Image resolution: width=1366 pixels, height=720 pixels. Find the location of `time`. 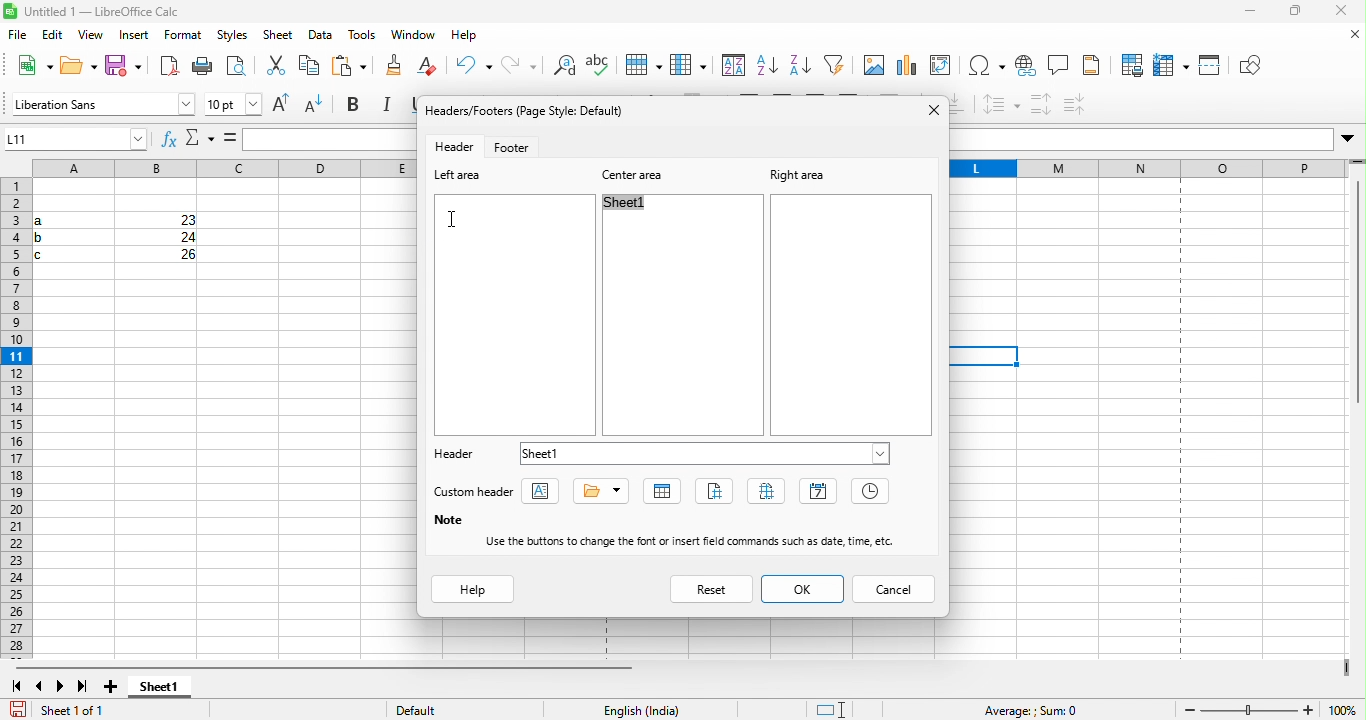

time is located at coordinates (870, 491).